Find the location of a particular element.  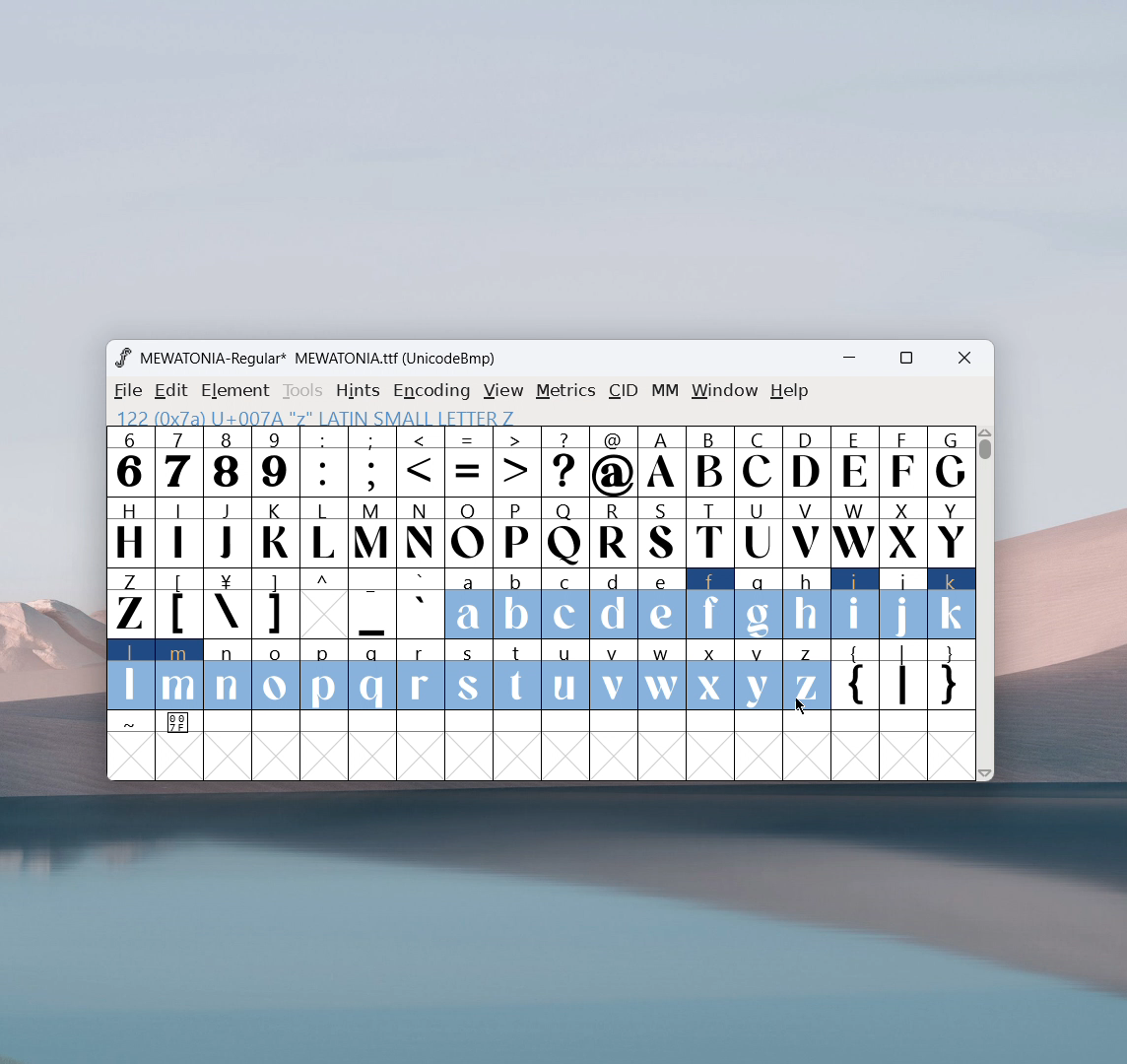

j is located at coordinates (904, 604).